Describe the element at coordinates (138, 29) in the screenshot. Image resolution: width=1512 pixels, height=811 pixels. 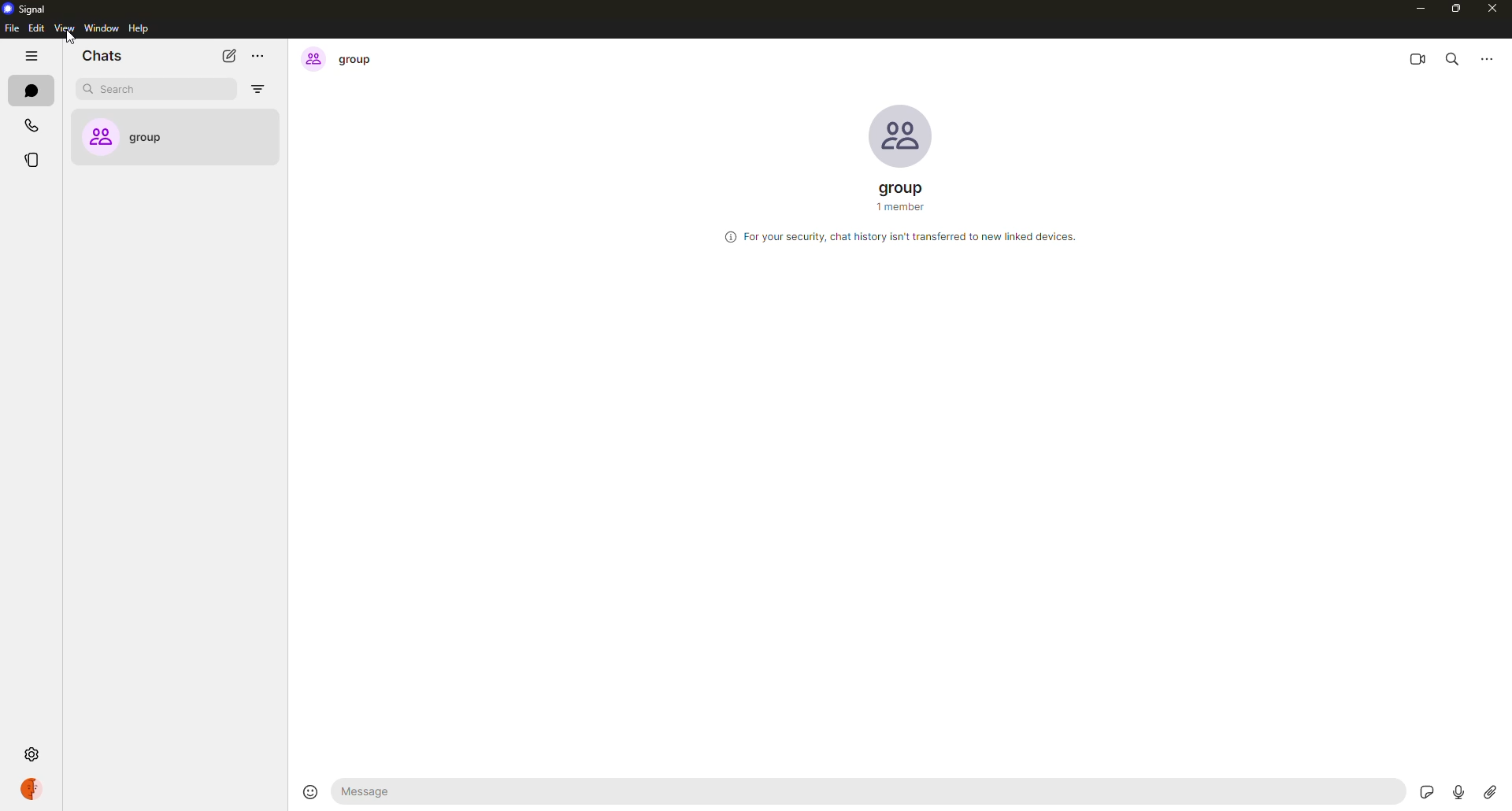
I see `help` at that location.